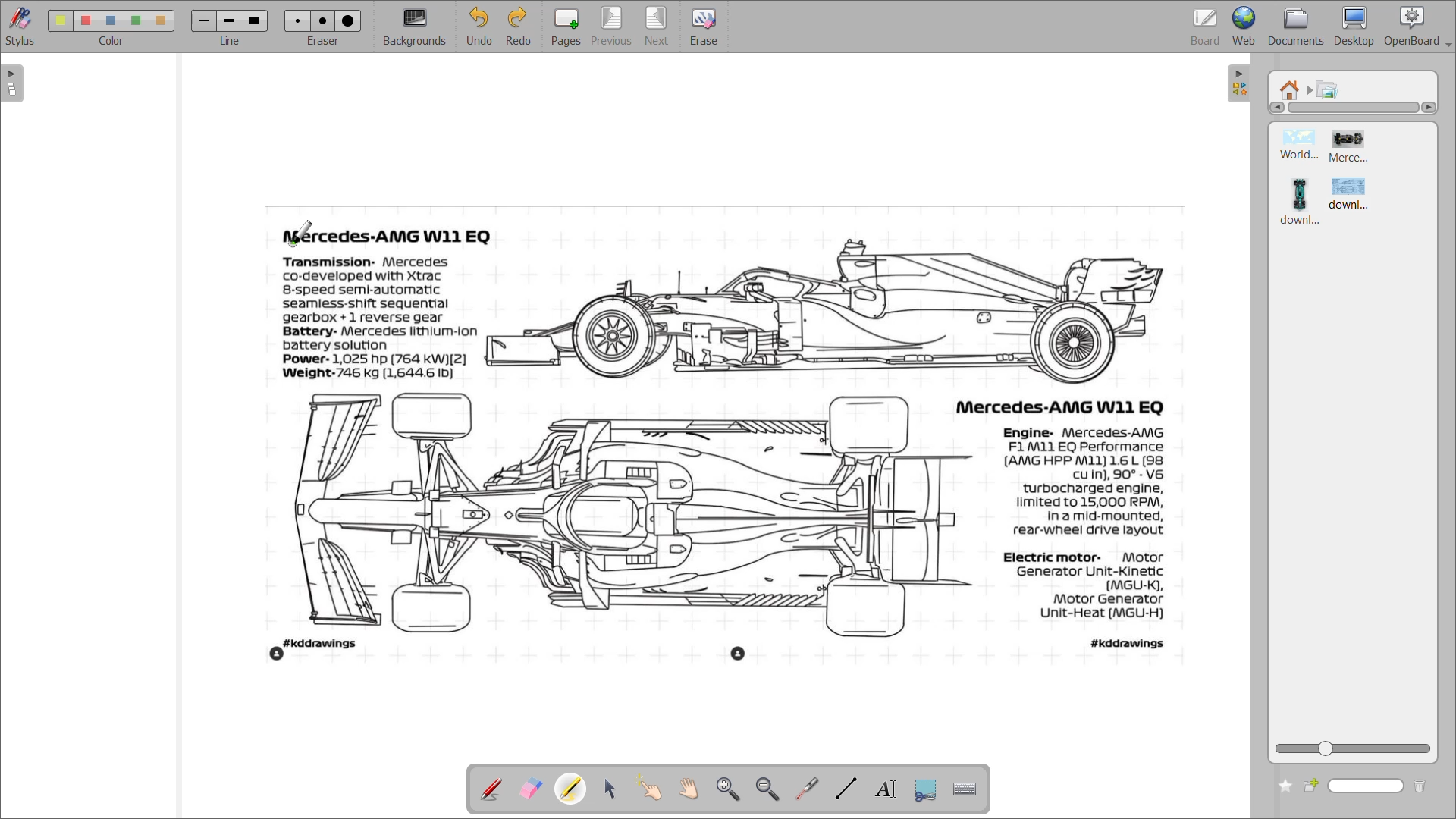  What do you see at coordinates (1420, 787) in the screenshot?
I see `delete` at bounding box center [1420, 787].